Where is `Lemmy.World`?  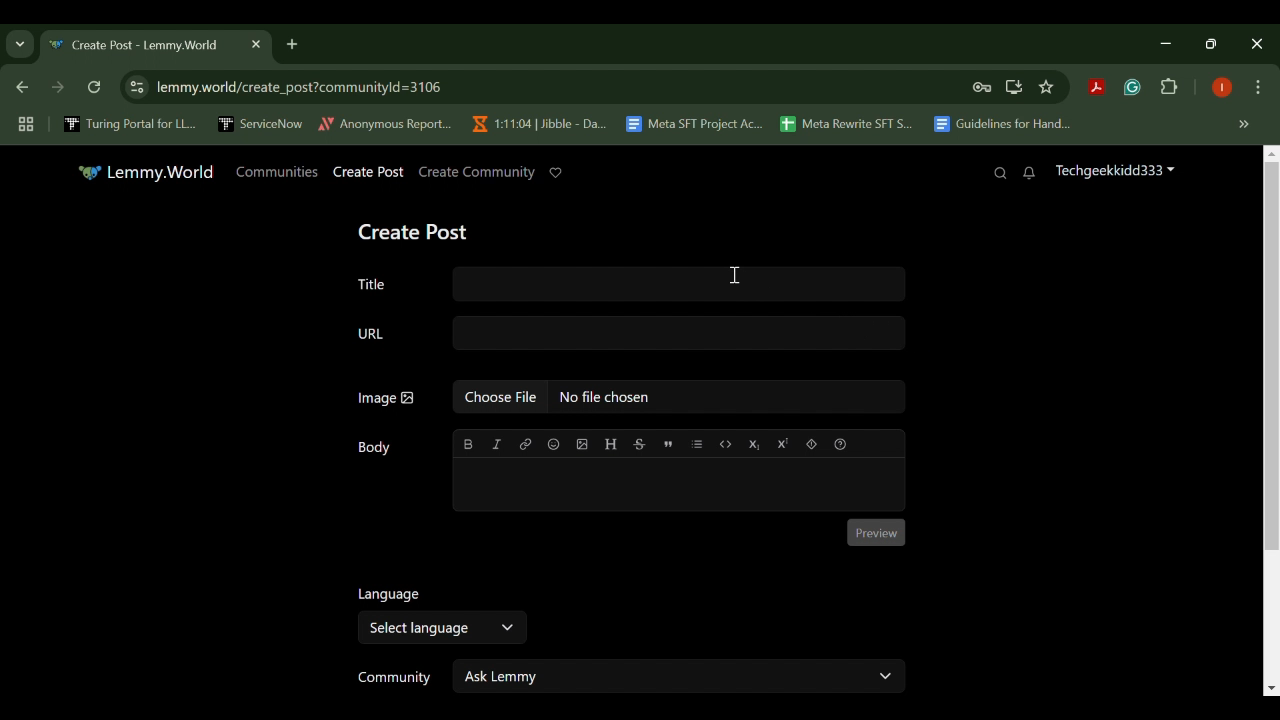 Lemmy.World is located at coordinates (146, 172).